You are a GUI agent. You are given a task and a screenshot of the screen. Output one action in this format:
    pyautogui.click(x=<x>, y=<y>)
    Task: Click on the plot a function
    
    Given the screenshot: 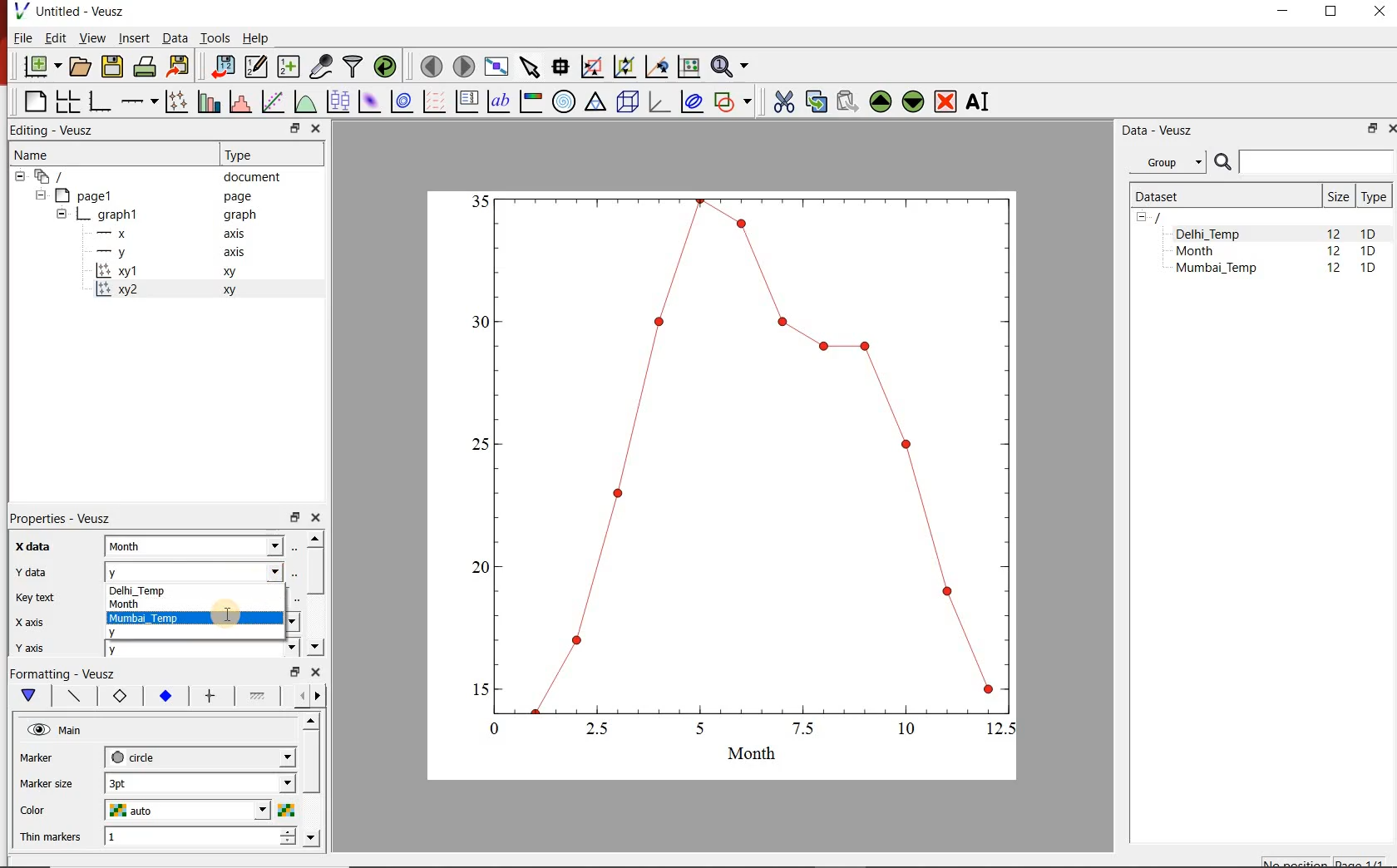 What is the action you would take?
    pyautogui.click(x=305, y=101)
    